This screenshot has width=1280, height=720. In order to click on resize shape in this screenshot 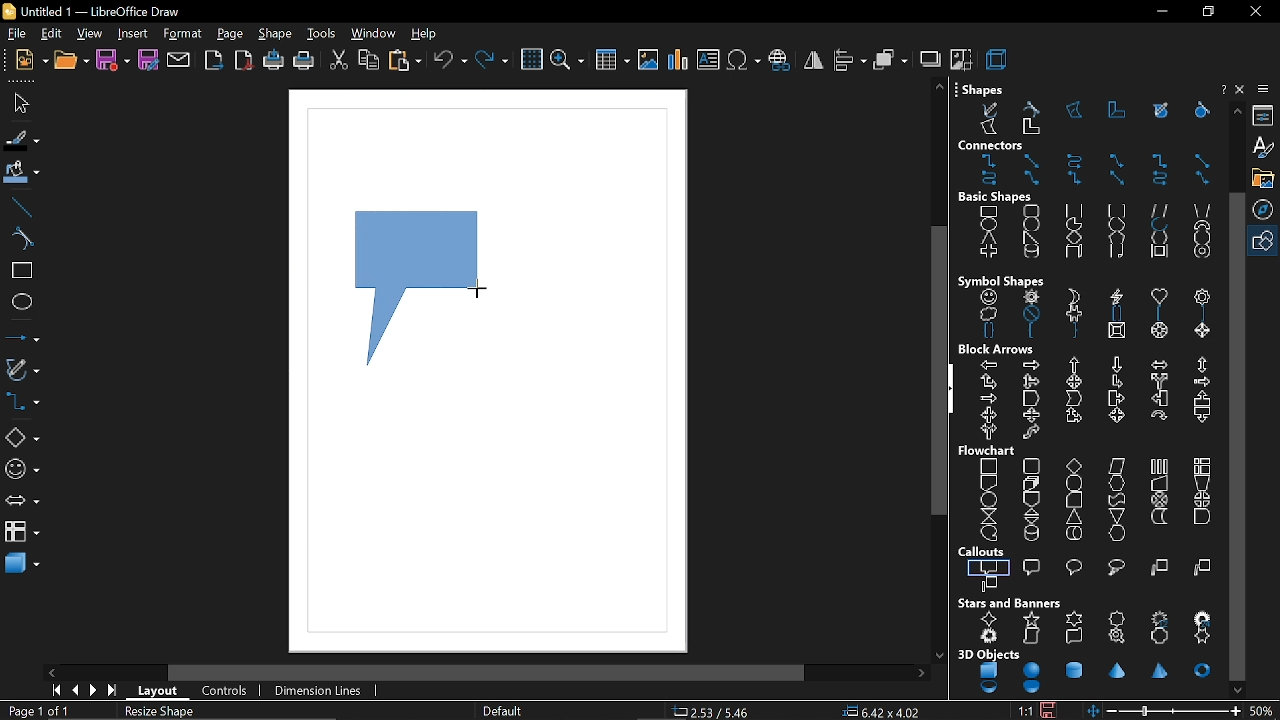, I will do `click(161, 711)`.